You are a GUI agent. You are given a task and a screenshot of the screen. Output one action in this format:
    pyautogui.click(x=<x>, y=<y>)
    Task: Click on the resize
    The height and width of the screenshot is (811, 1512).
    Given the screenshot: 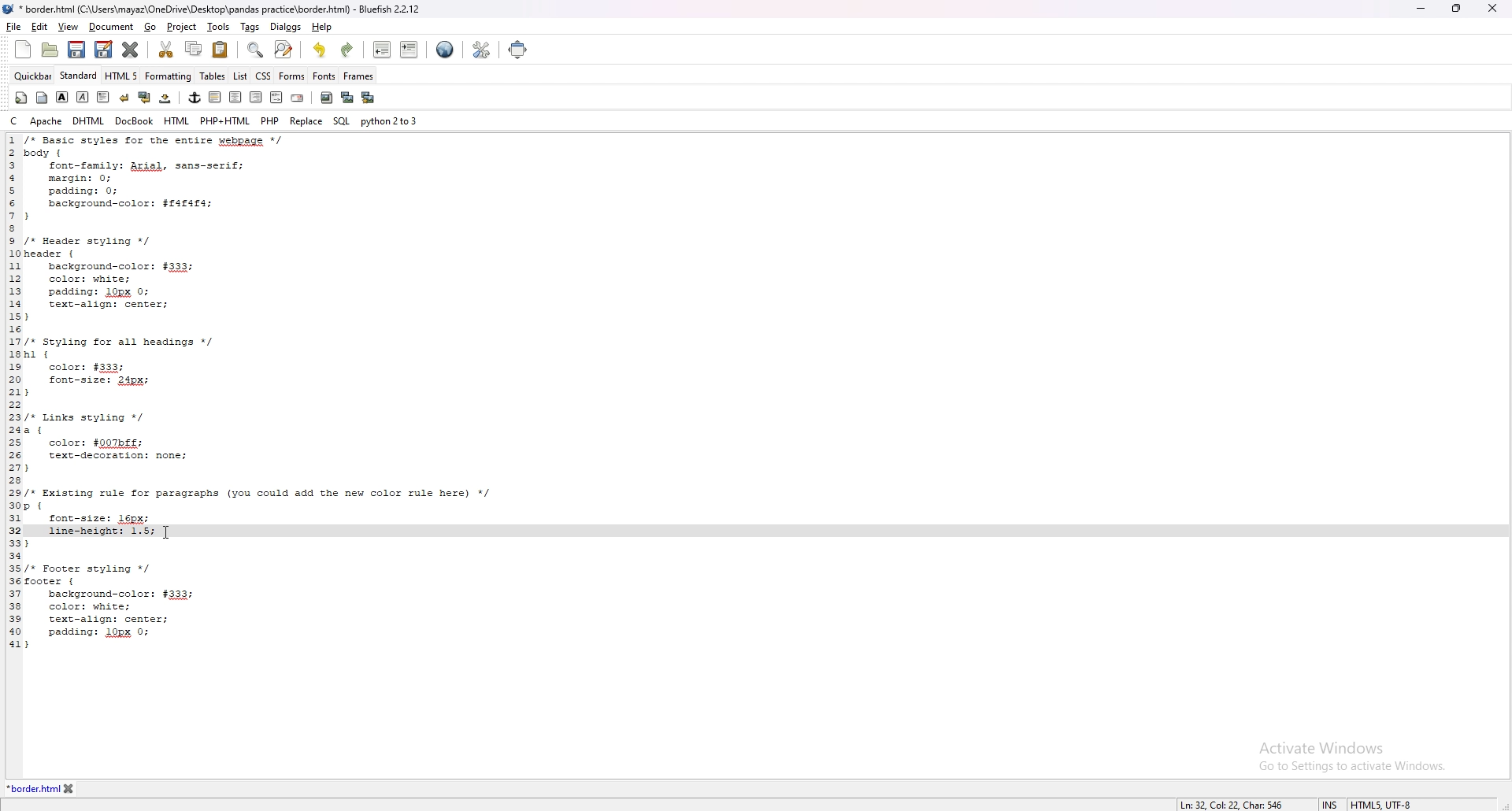 What is the action you would take?
    pyautogui.click(x=1457, y=8)
    